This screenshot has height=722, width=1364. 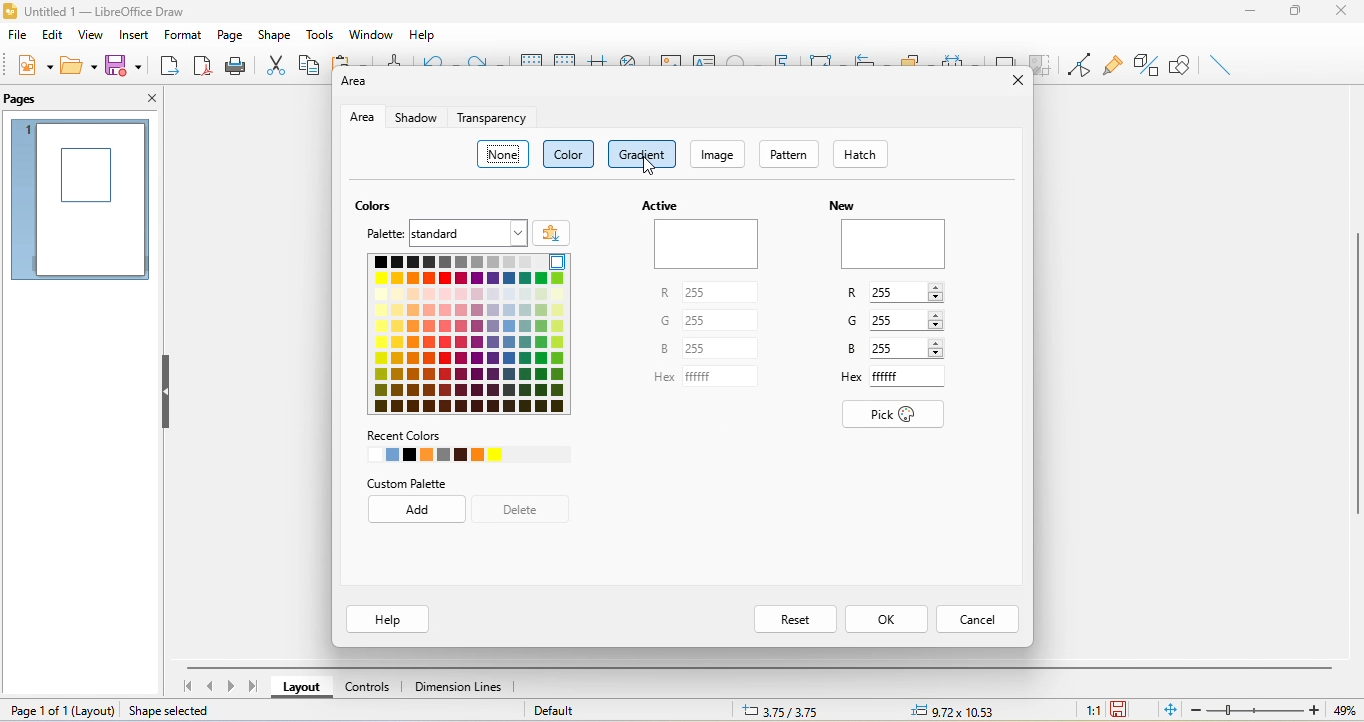 I want to click on last page, so click(x=254, y=687).